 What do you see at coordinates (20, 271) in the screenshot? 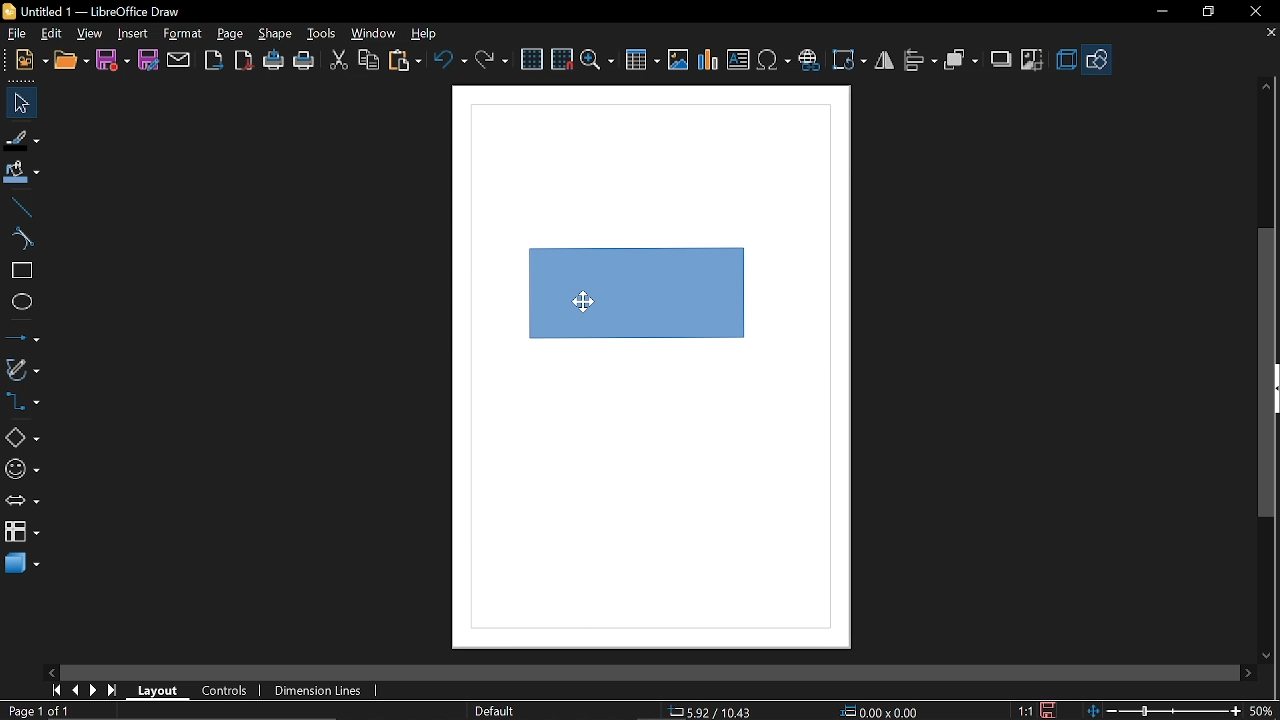
I see `rectangle` at bounding box center [20, 271].